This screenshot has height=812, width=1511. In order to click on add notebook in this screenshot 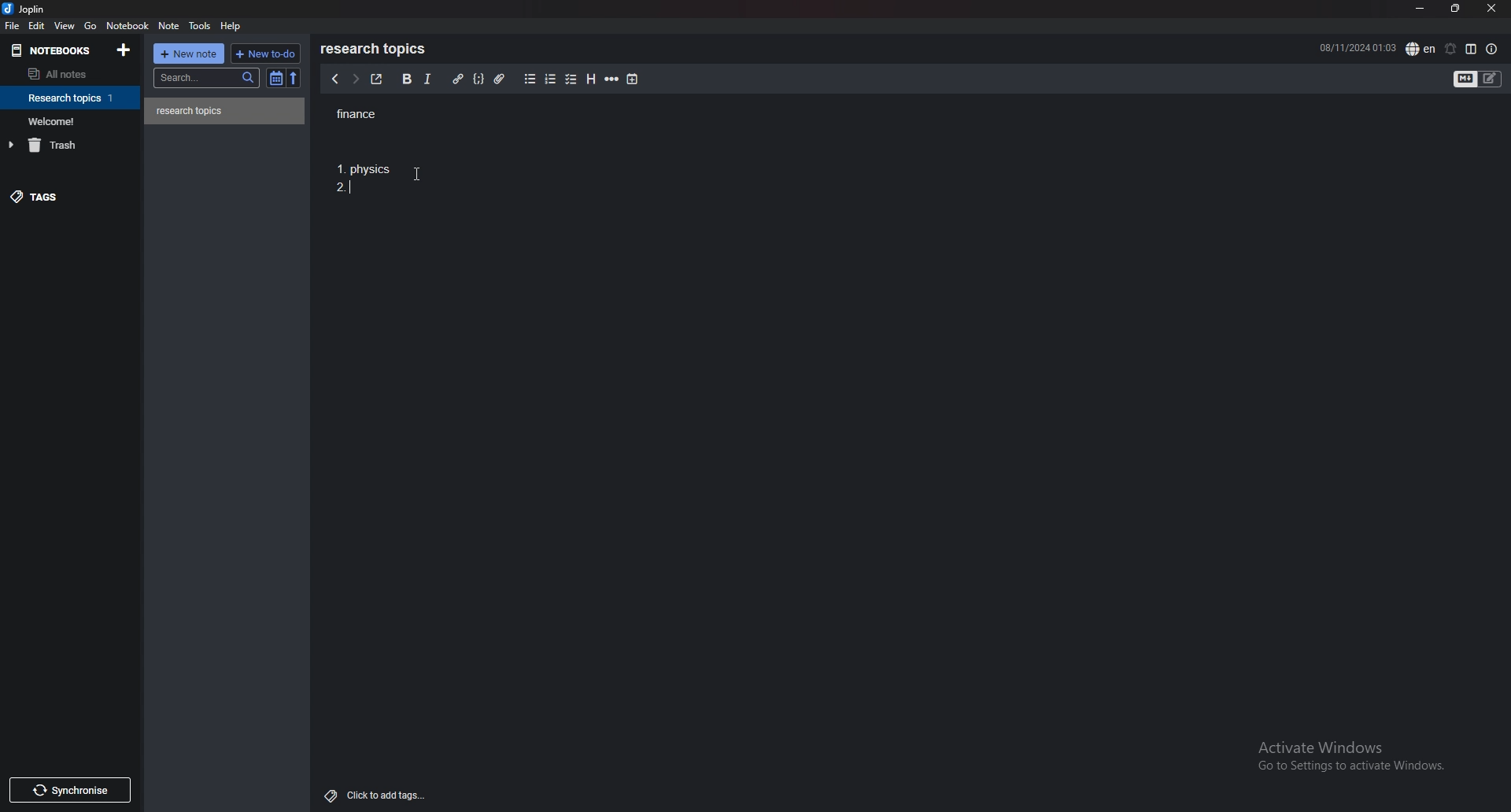, I will do `click(123, 50)`.